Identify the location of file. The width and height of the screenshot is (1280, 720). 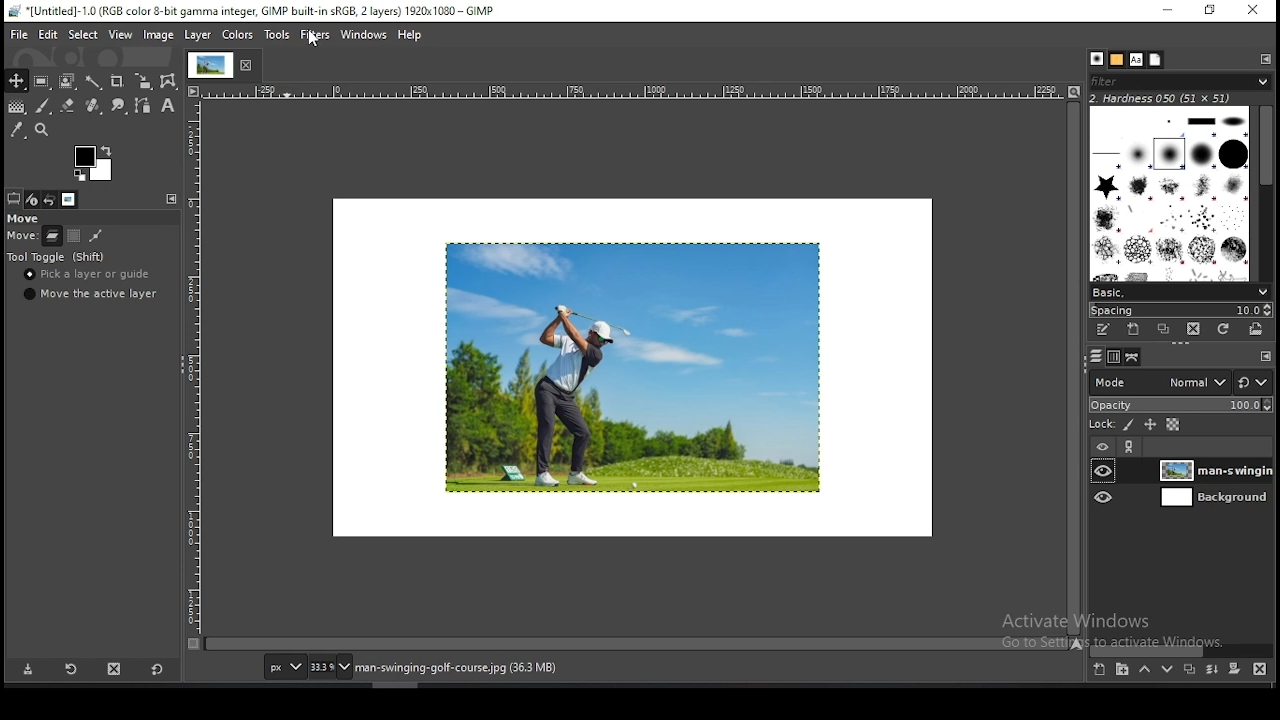
(16, 35).